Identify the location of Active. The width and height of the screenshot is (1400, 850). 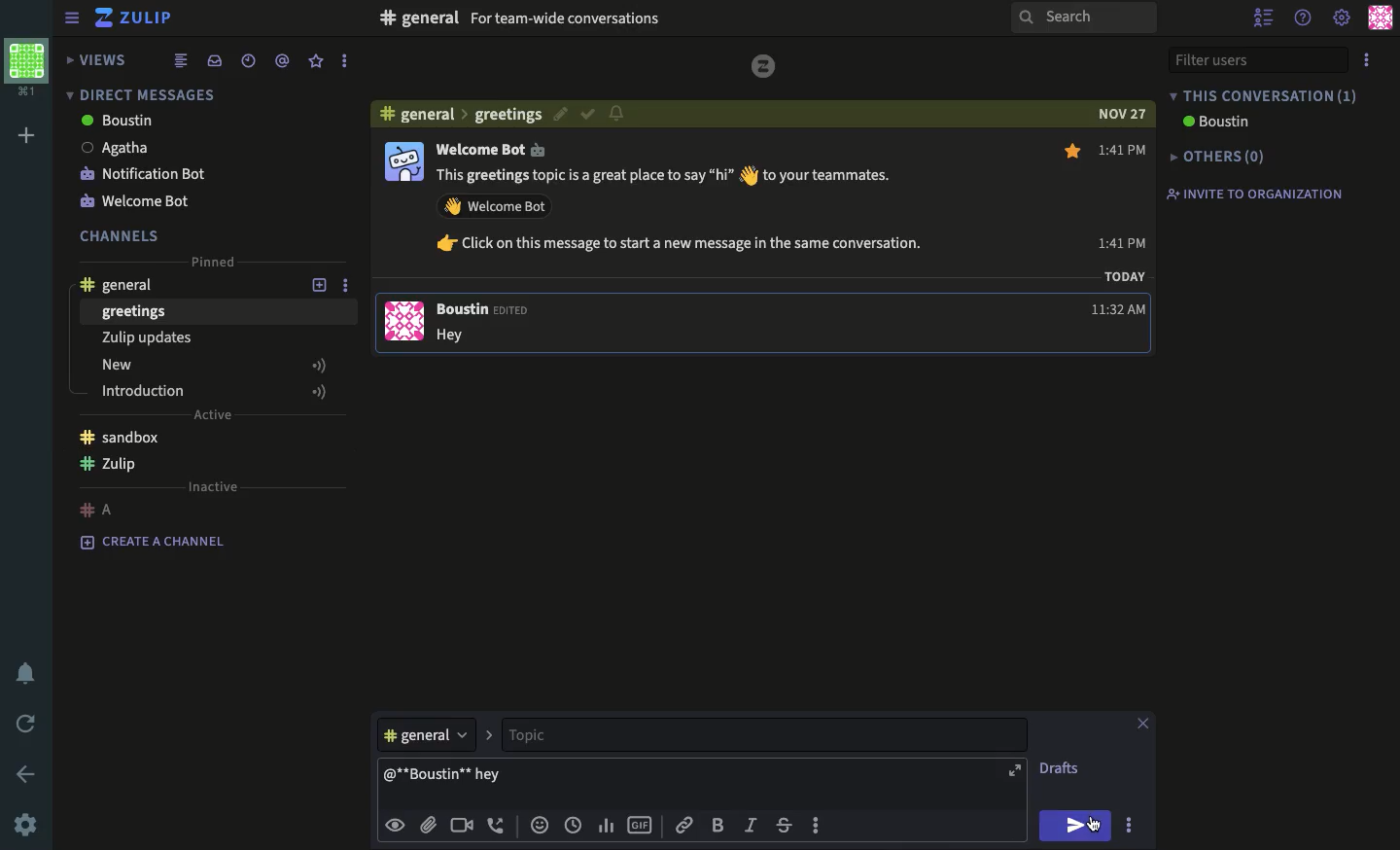
(220, 413).